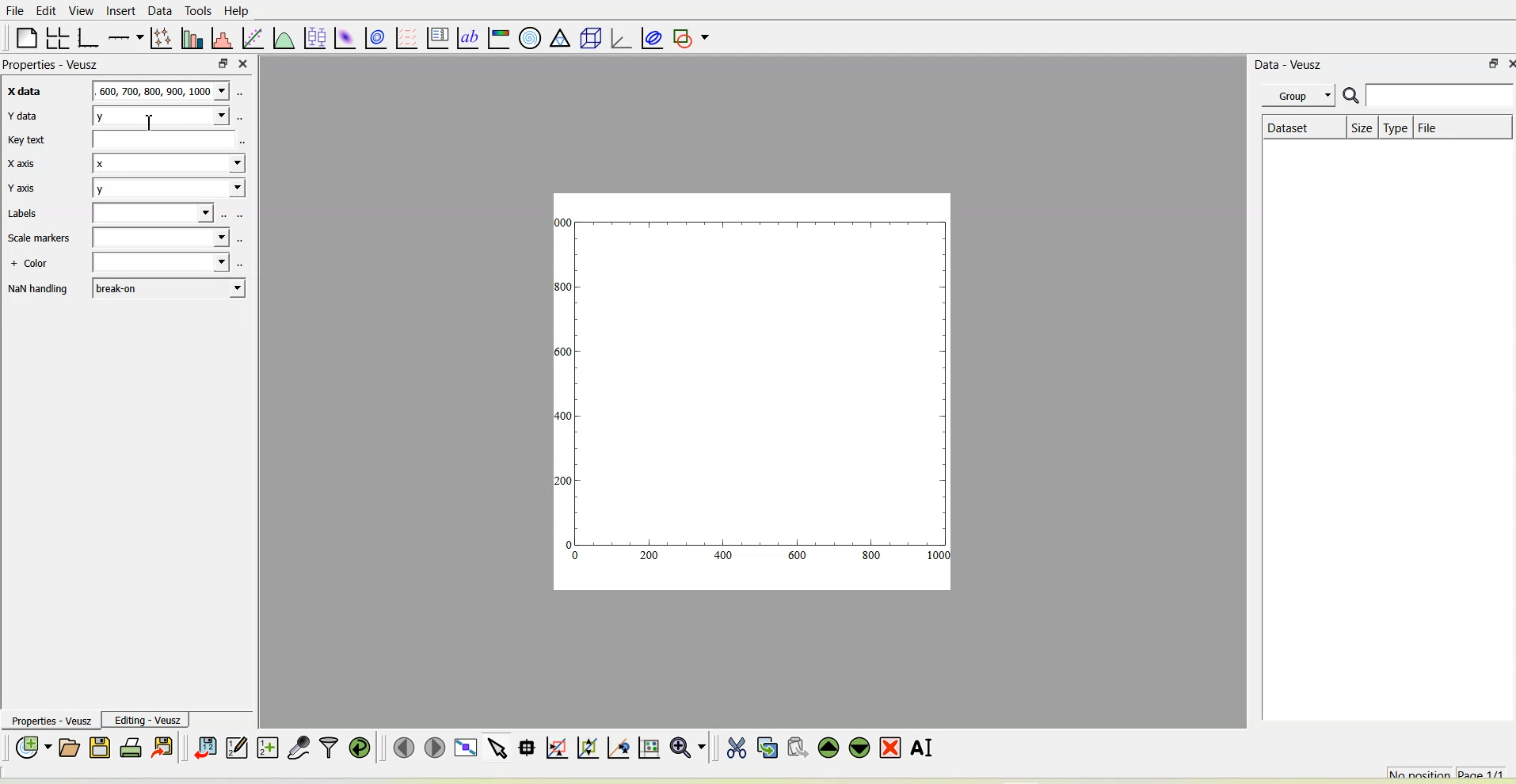  What do you see at coordinates (244, 64) in the screenshot?
I see `close` at bounding box center [244, 64].